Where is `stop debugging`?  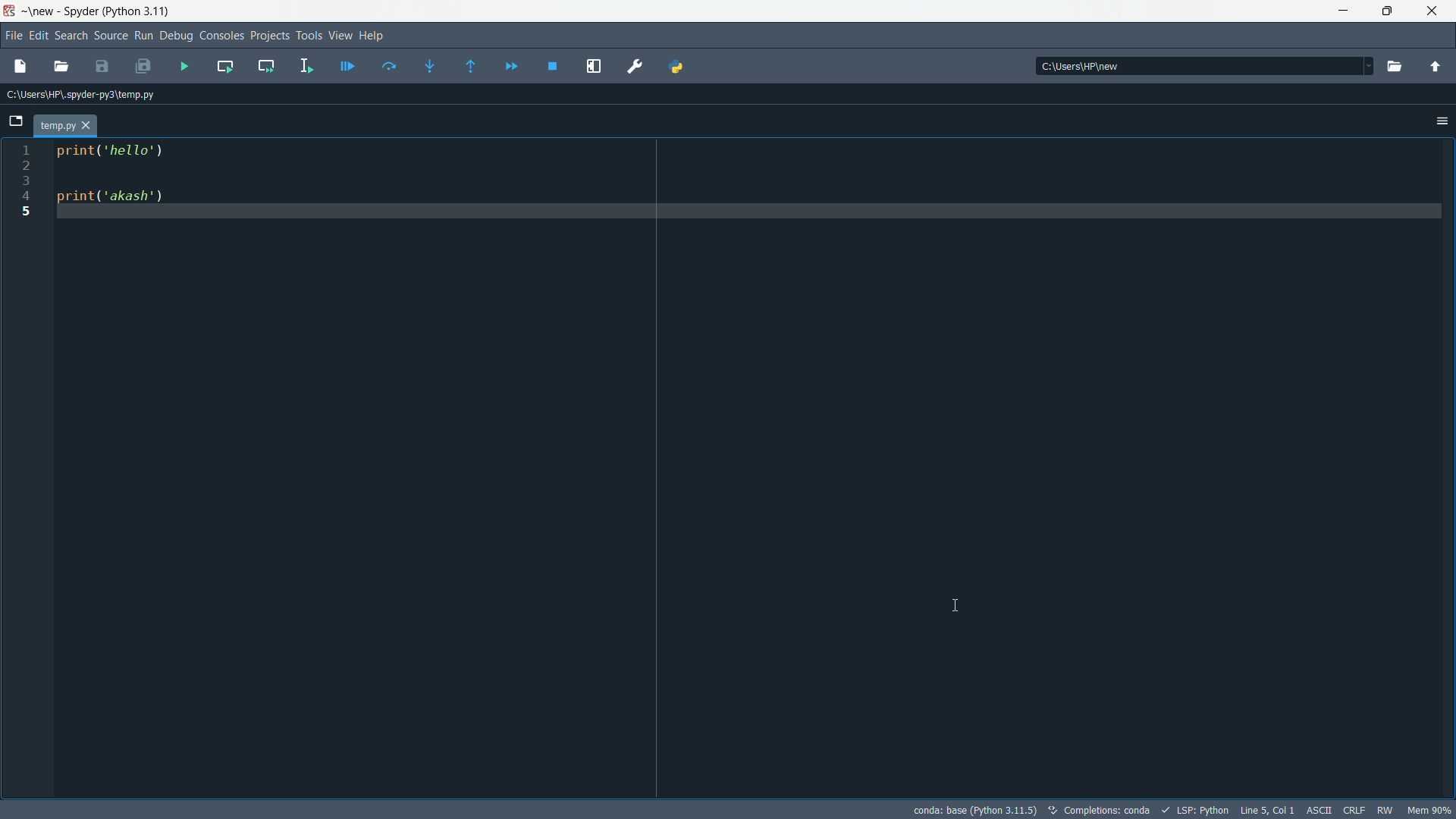 stop debugging is located at coordinates (553, 66).